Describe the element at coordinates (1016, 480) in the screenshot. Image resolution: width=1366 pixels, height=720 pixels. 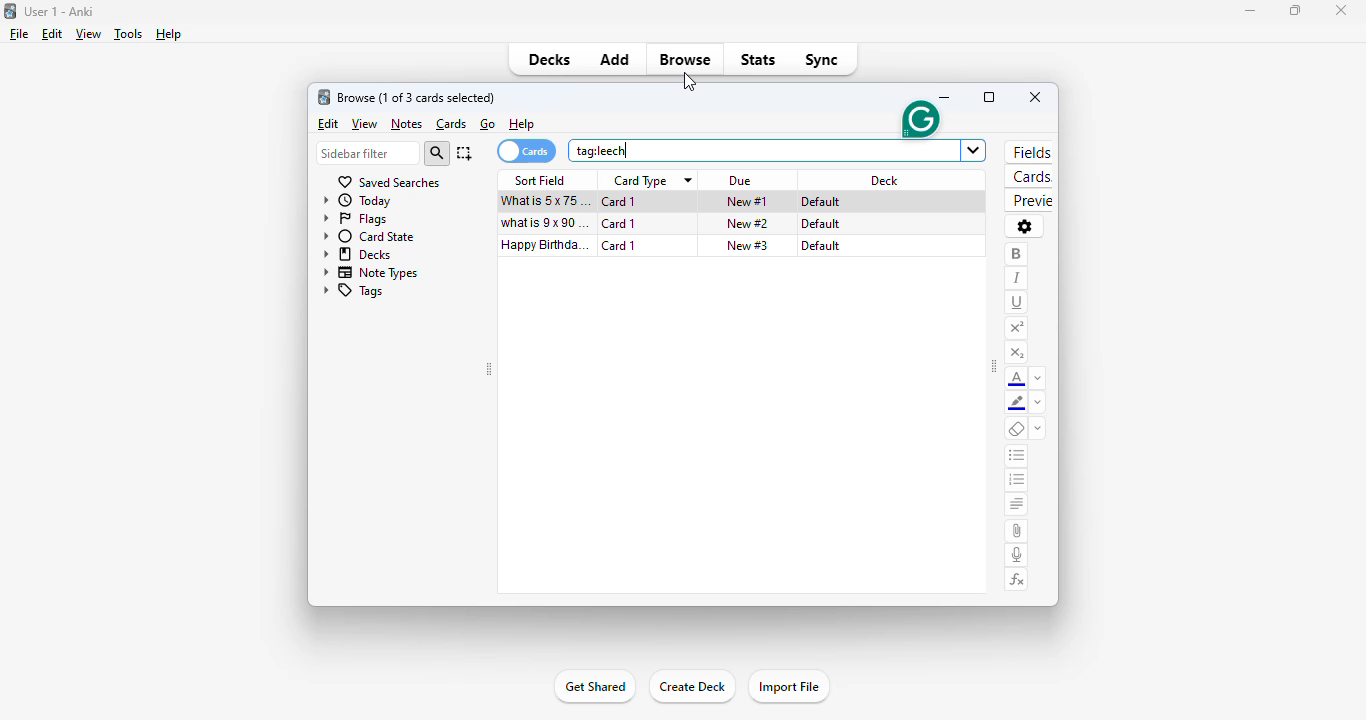
I see `ordered list` at that location.